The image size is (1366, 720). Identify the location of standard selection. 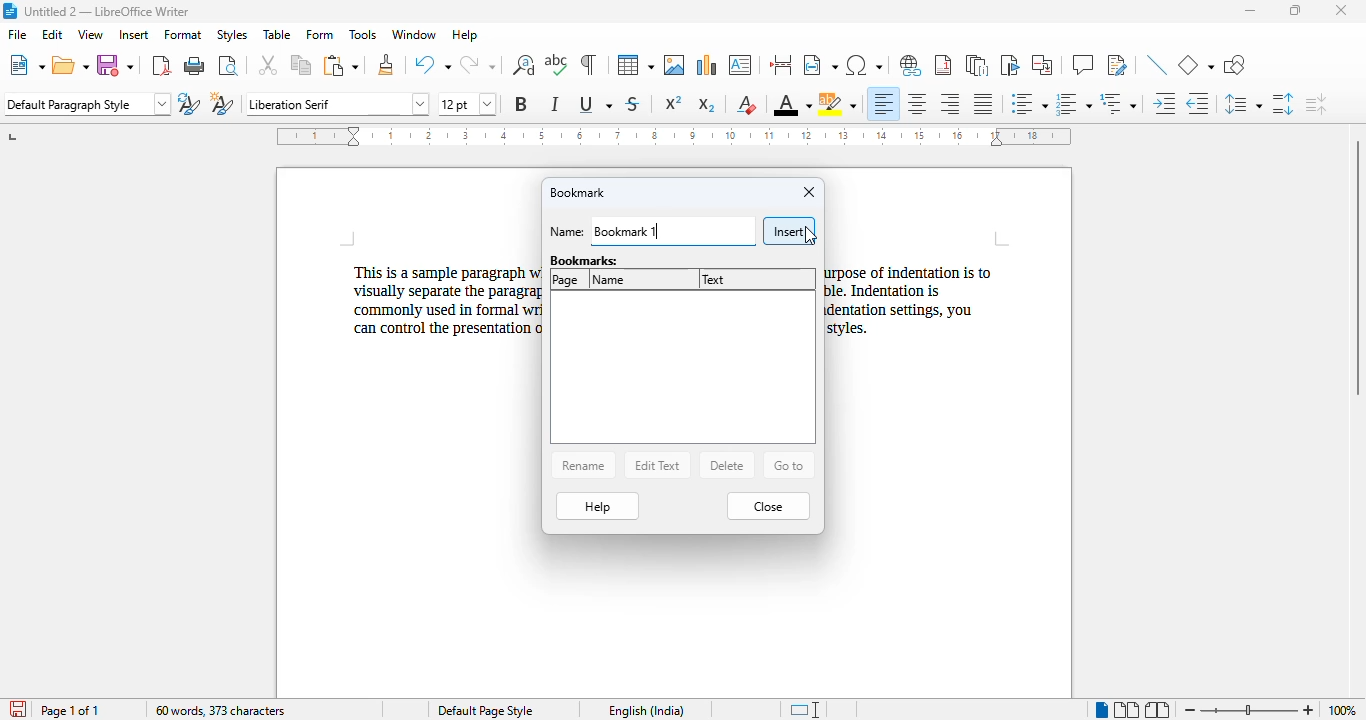
(808, 709).